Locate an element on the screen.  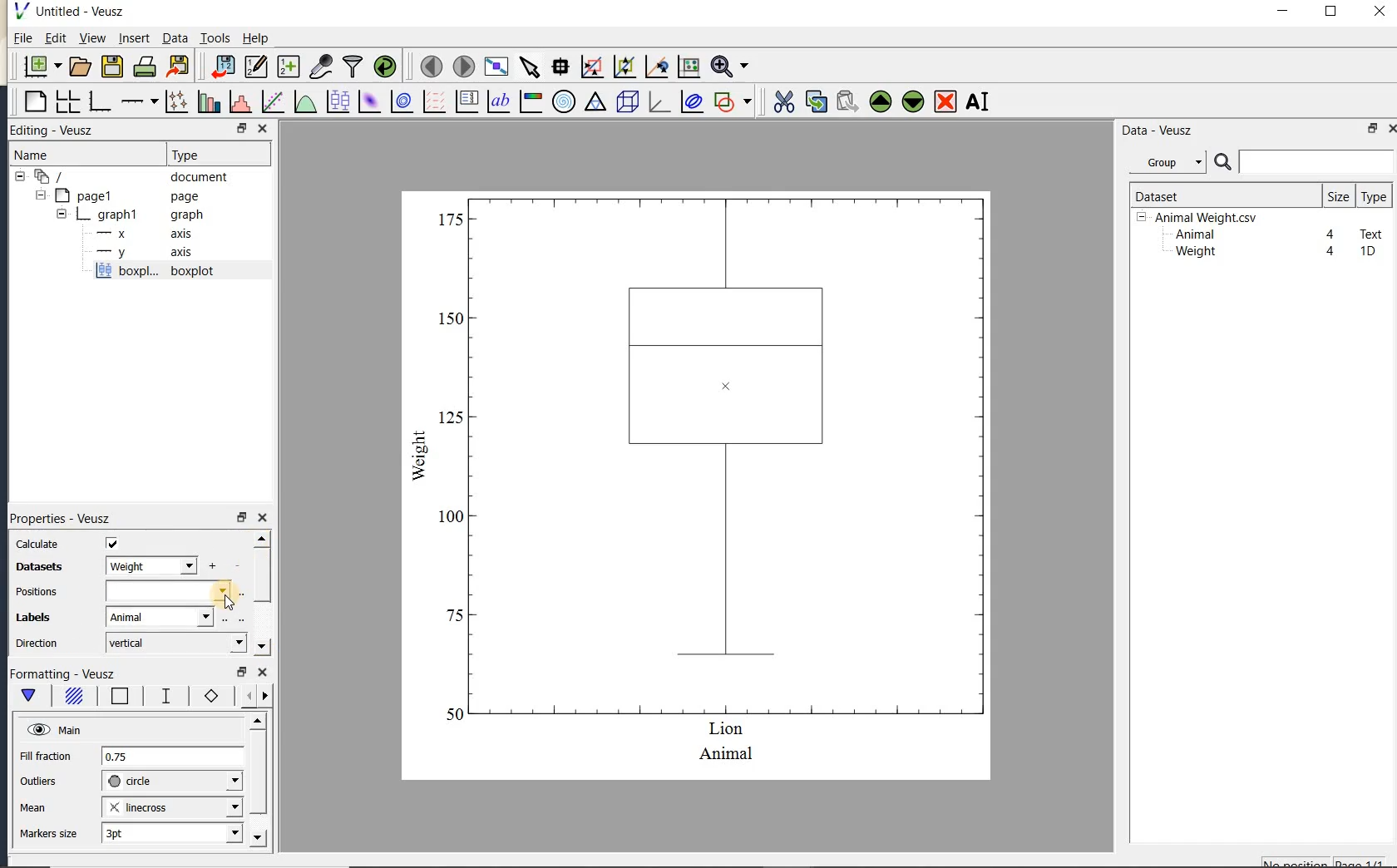
click to reset graph axes is located at coordinates (689, 67).